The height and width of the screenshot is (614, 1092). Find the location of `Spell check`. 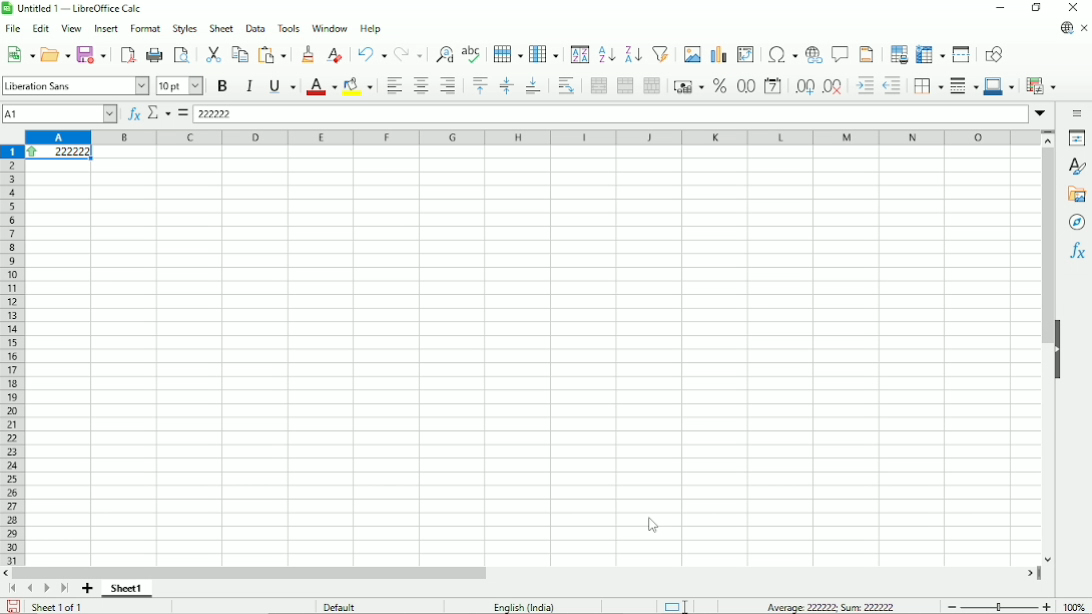

Spell check is located at coordinates (471, 53).